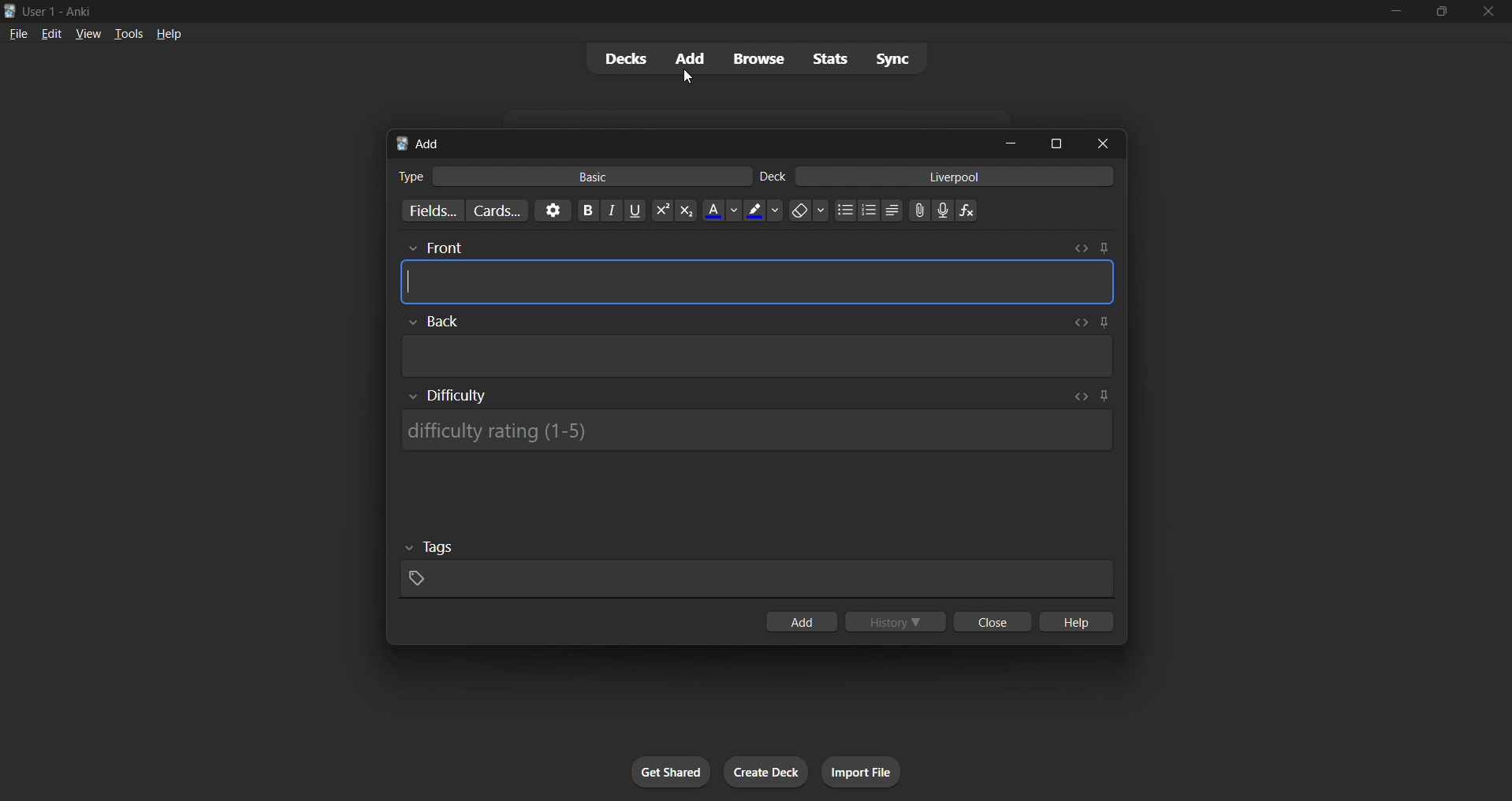 The width and height of the screenshot is (1512, 801). I want to click on import file, so click(867, 770).